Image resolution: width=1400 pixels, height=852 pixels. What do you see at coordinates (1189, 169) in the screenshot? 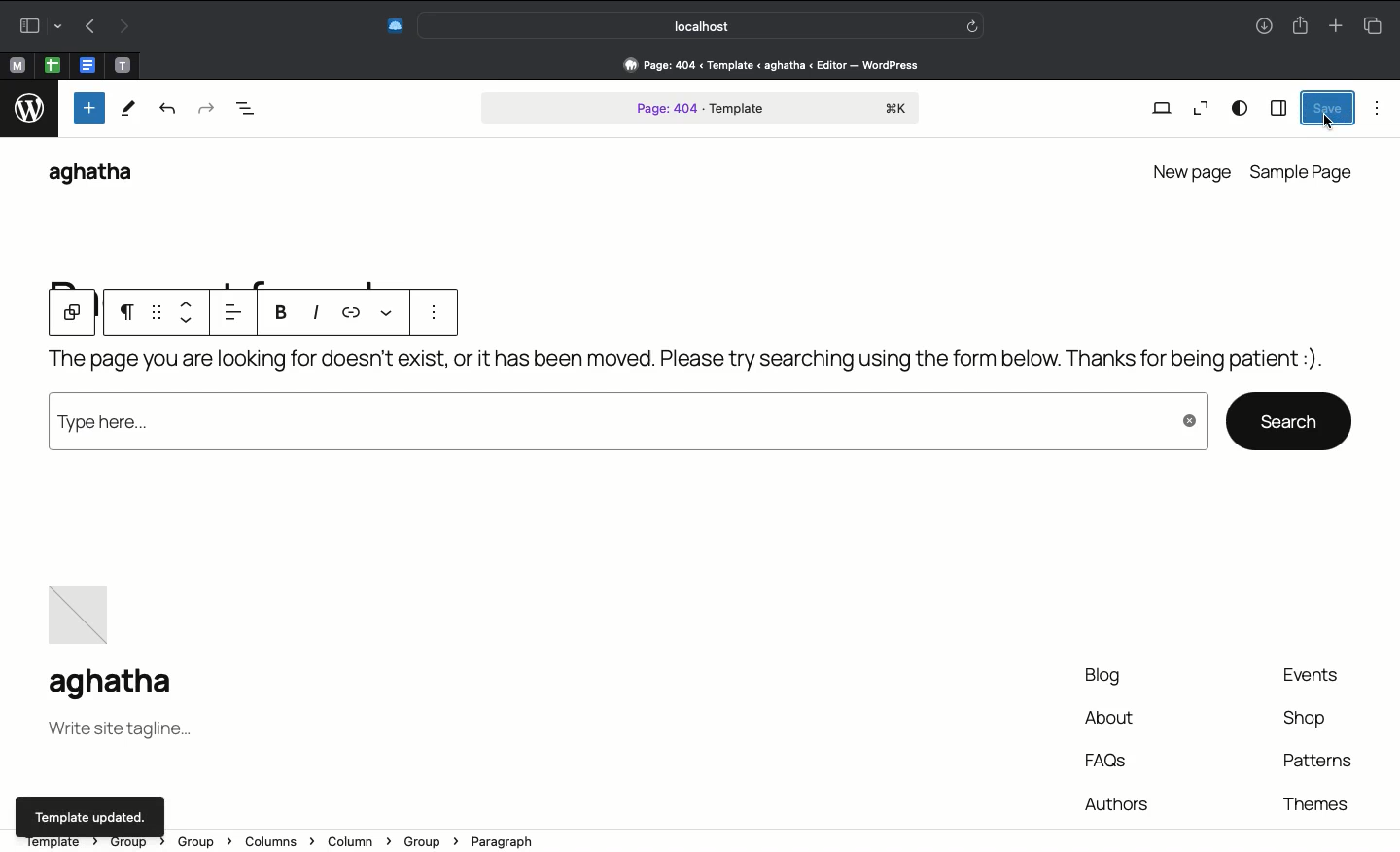
I see `New page` at bounding box center [1189, 169].